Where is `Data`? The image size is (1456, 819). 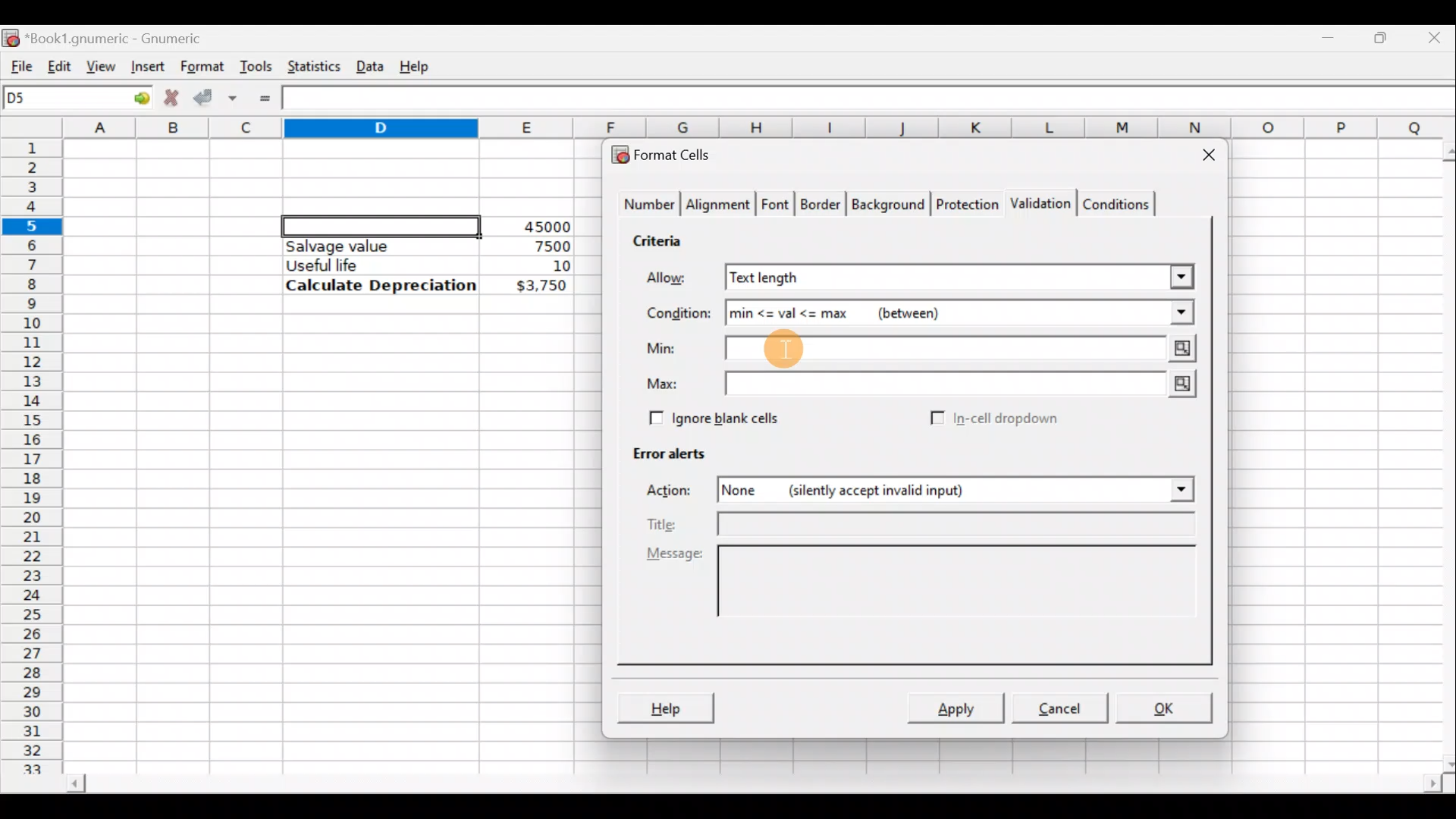 Data is located at coordinates (369, 63).